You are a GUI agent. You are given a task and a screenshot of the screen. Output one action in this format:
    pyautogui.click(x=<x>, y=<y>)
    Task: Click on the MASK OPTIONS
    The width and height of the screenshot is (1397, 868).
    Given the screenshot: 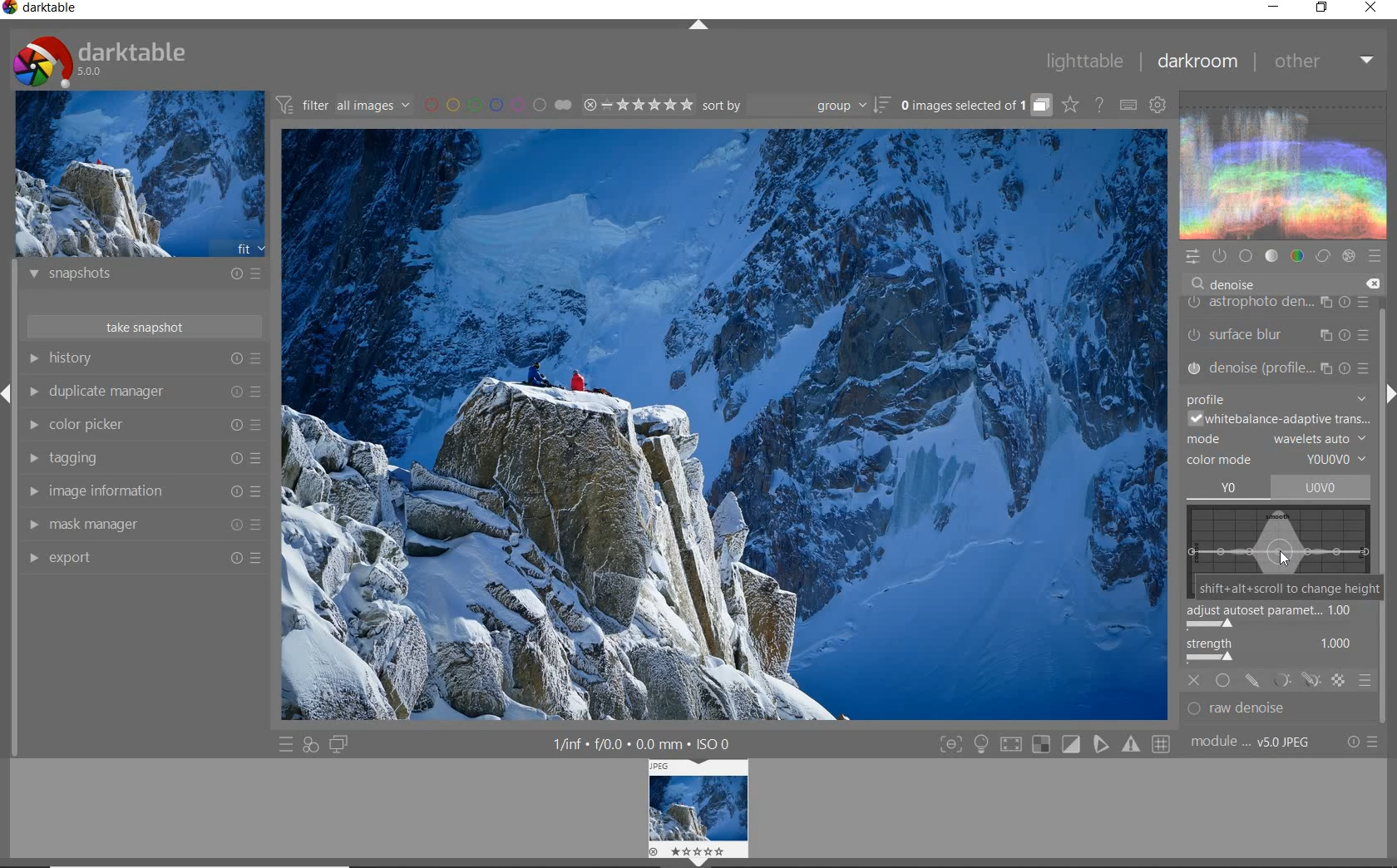 What is the action you would take?
    pyautogui.click(x=1294, y=682)
    